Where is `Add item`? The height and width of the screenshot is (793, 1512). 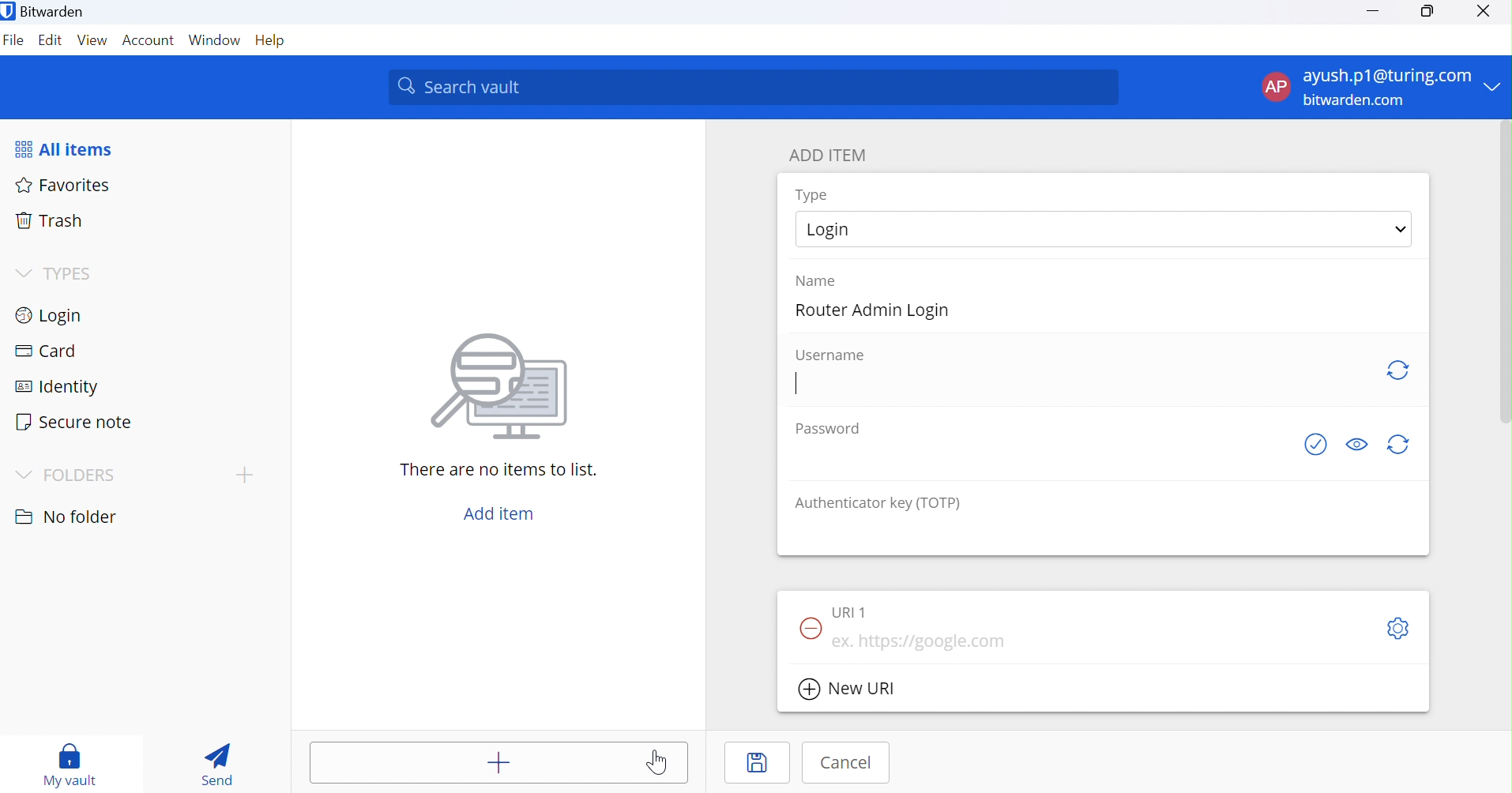
Add item is located at coordinates (502, 762).